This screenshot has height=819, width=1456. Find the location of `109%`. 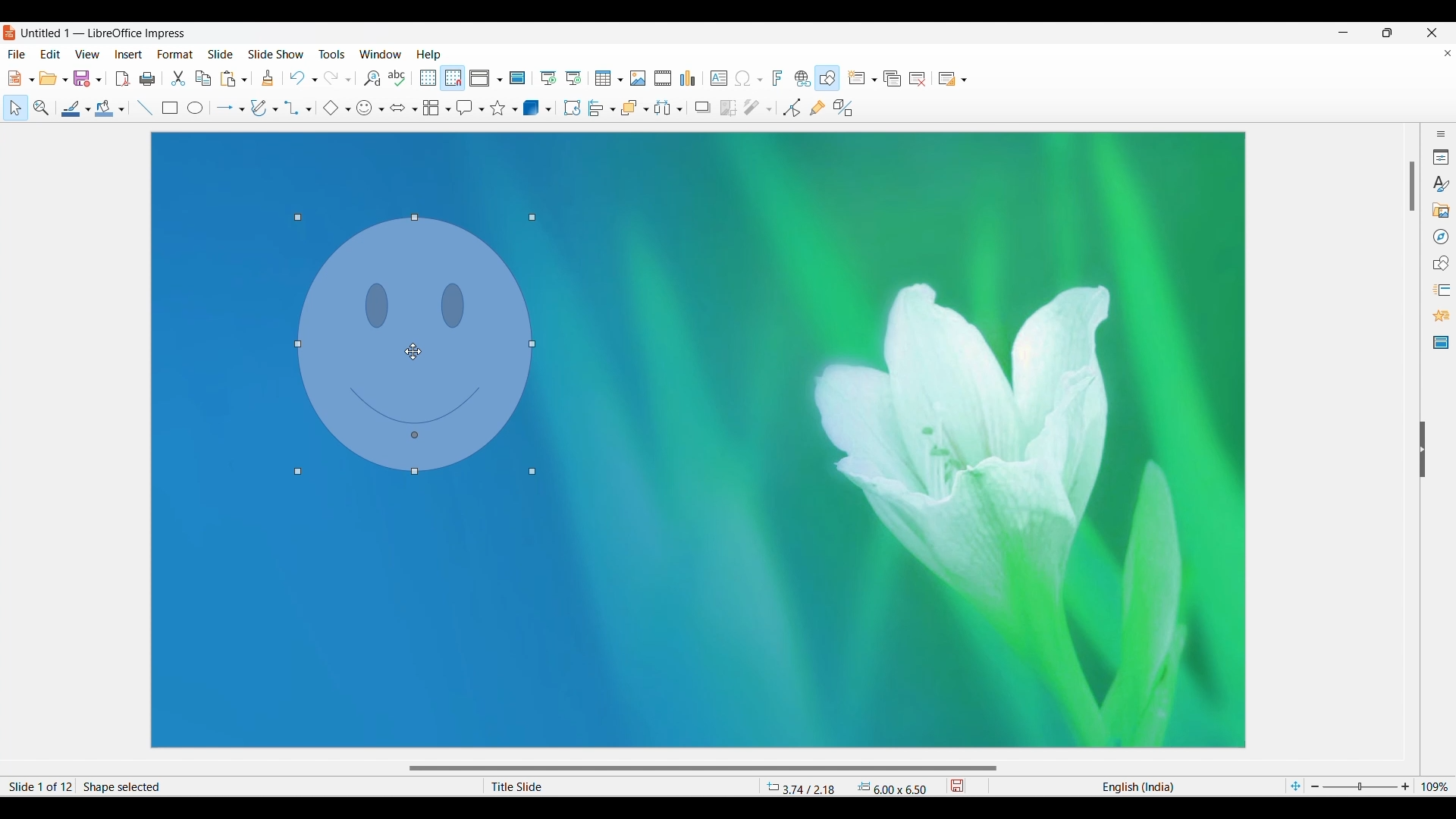

109% is located at coordinates (1437, 786).